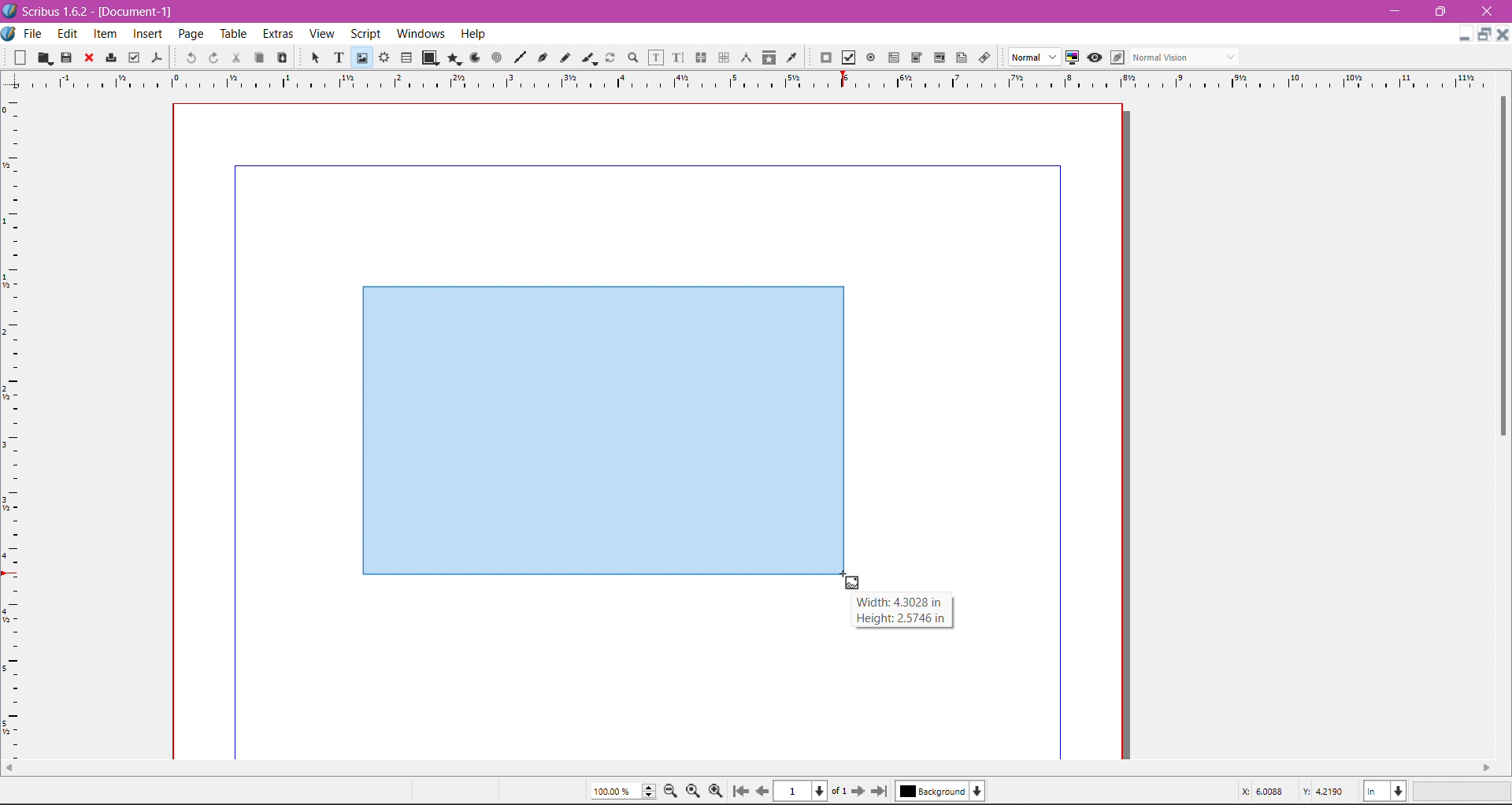  Describe the element at coordinates (258, 57) in the screenshot. I see `Copy` at that location.